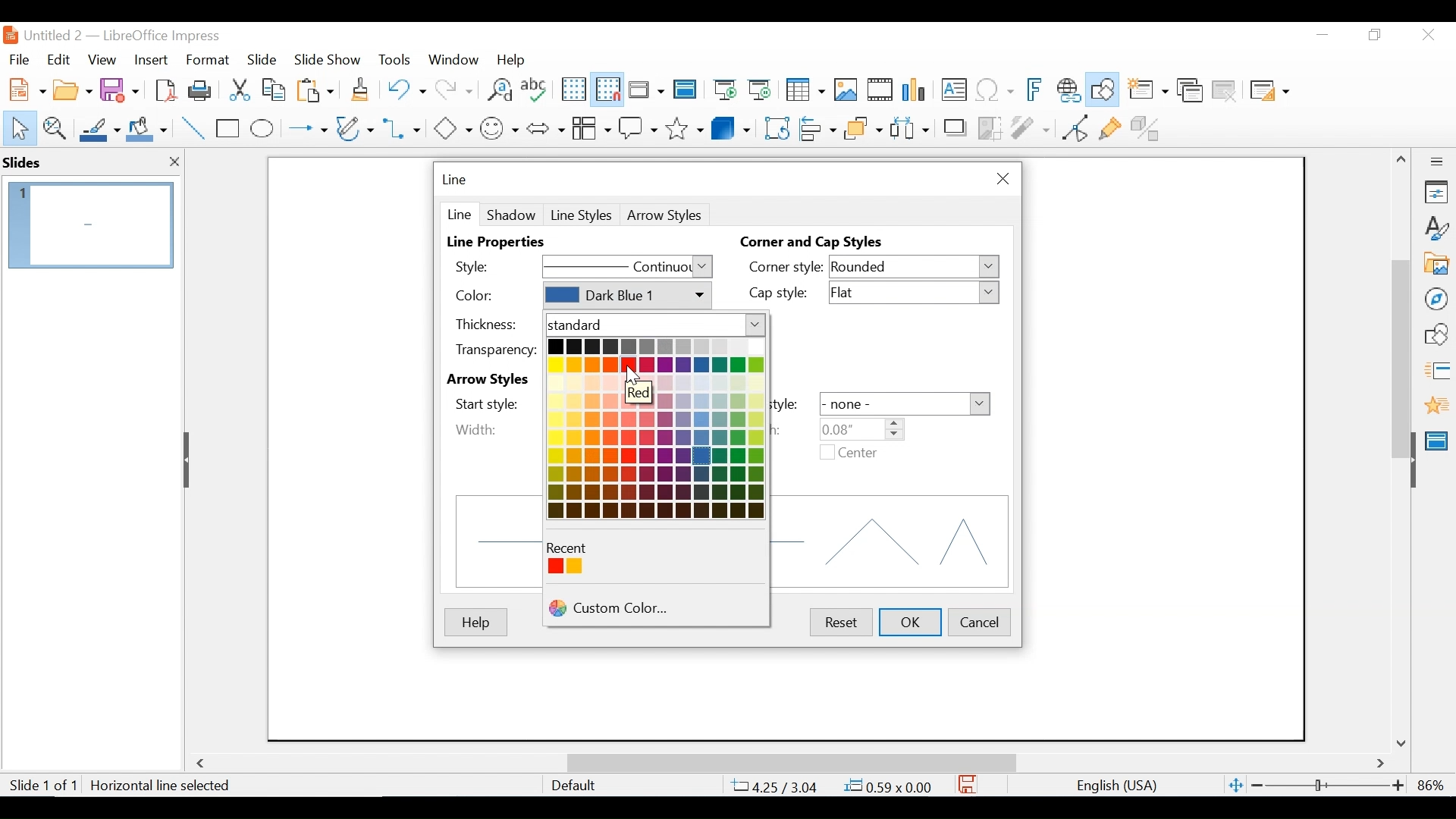 The width and height of the screenshot is (1456, 819). Describe the element at coordinates (72, 88) in the screenshot. I see `Open` at that location.